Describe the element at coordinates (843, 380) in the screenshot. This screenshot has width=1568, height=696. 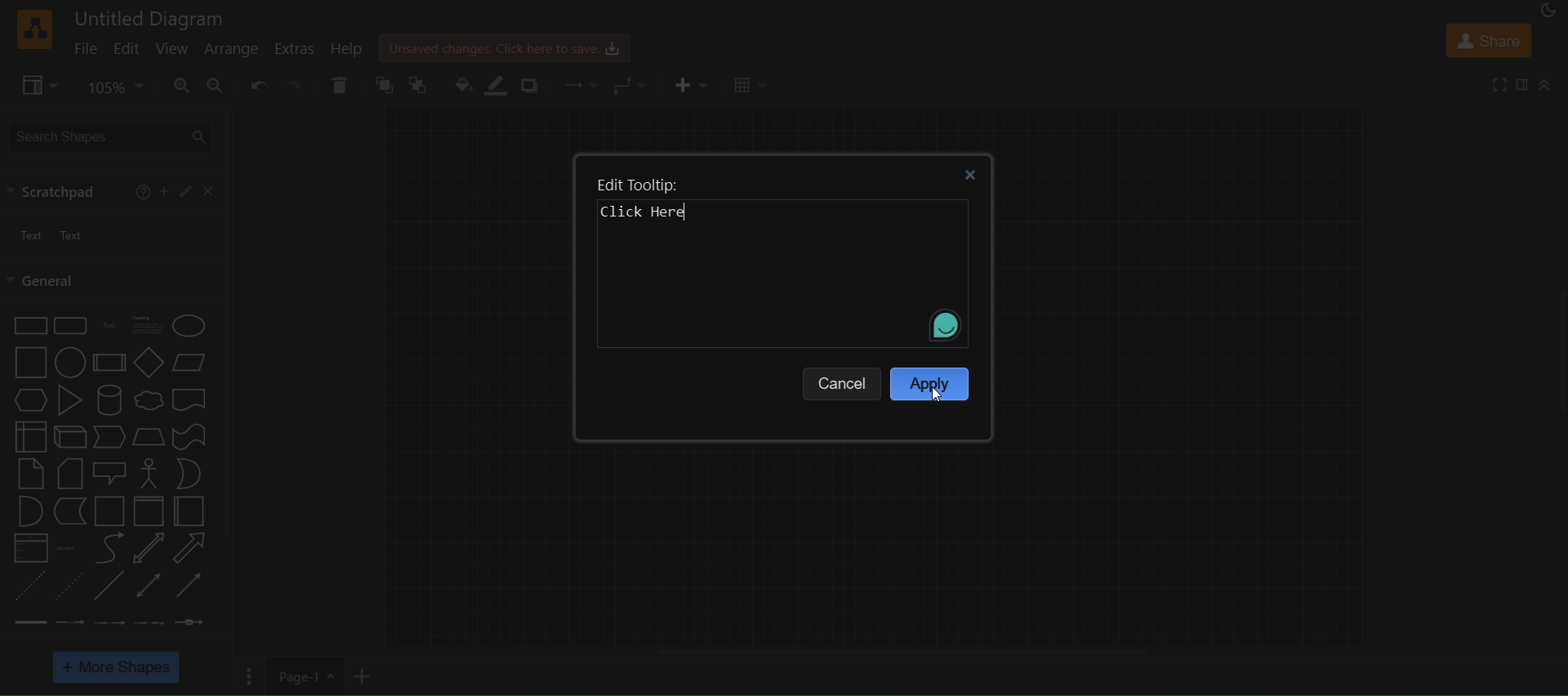
I see `cancel` at that location.